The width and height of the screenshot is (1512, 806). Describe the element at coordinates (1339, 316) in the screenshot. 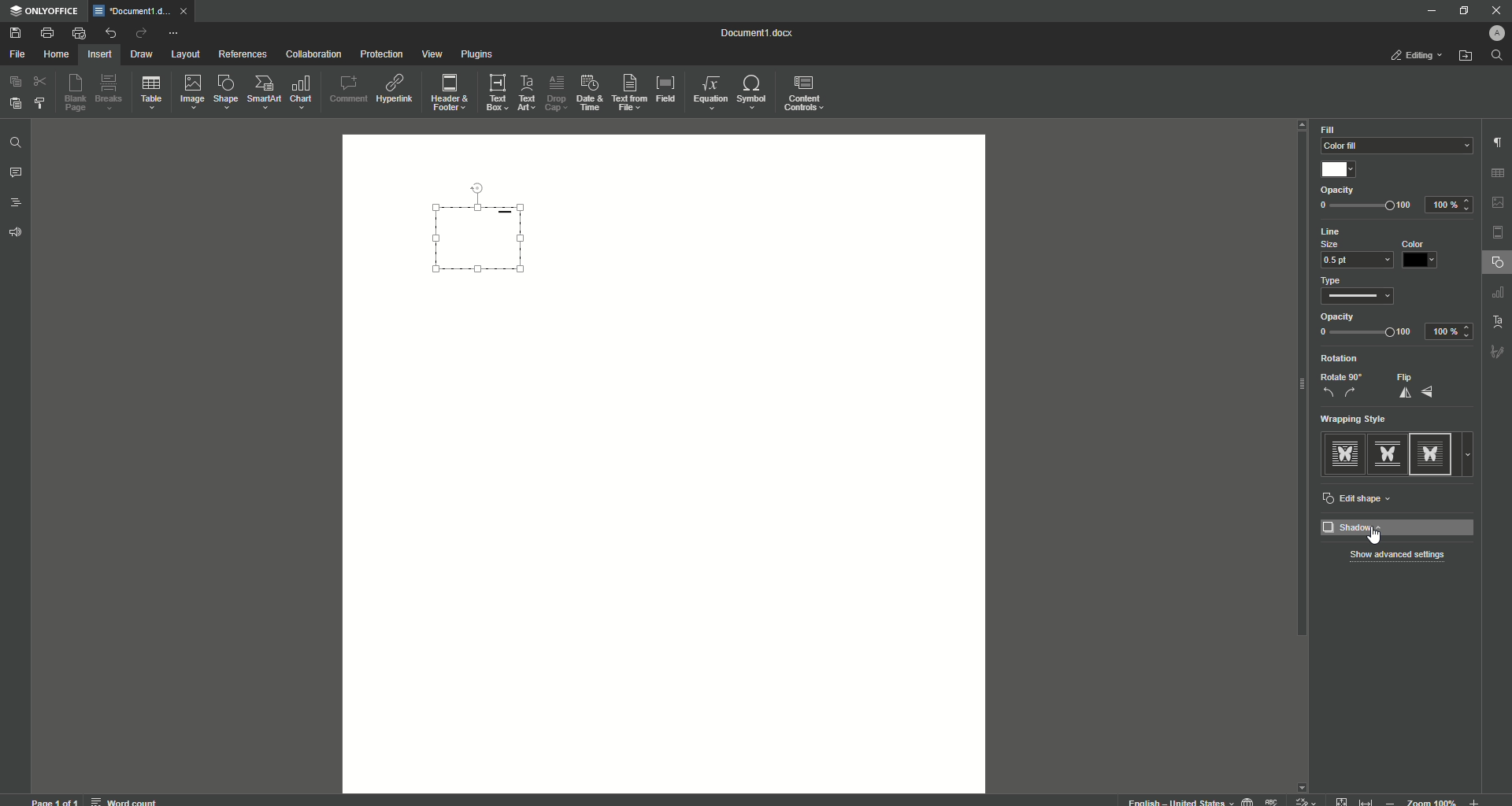

I see `Opacity` at that location.